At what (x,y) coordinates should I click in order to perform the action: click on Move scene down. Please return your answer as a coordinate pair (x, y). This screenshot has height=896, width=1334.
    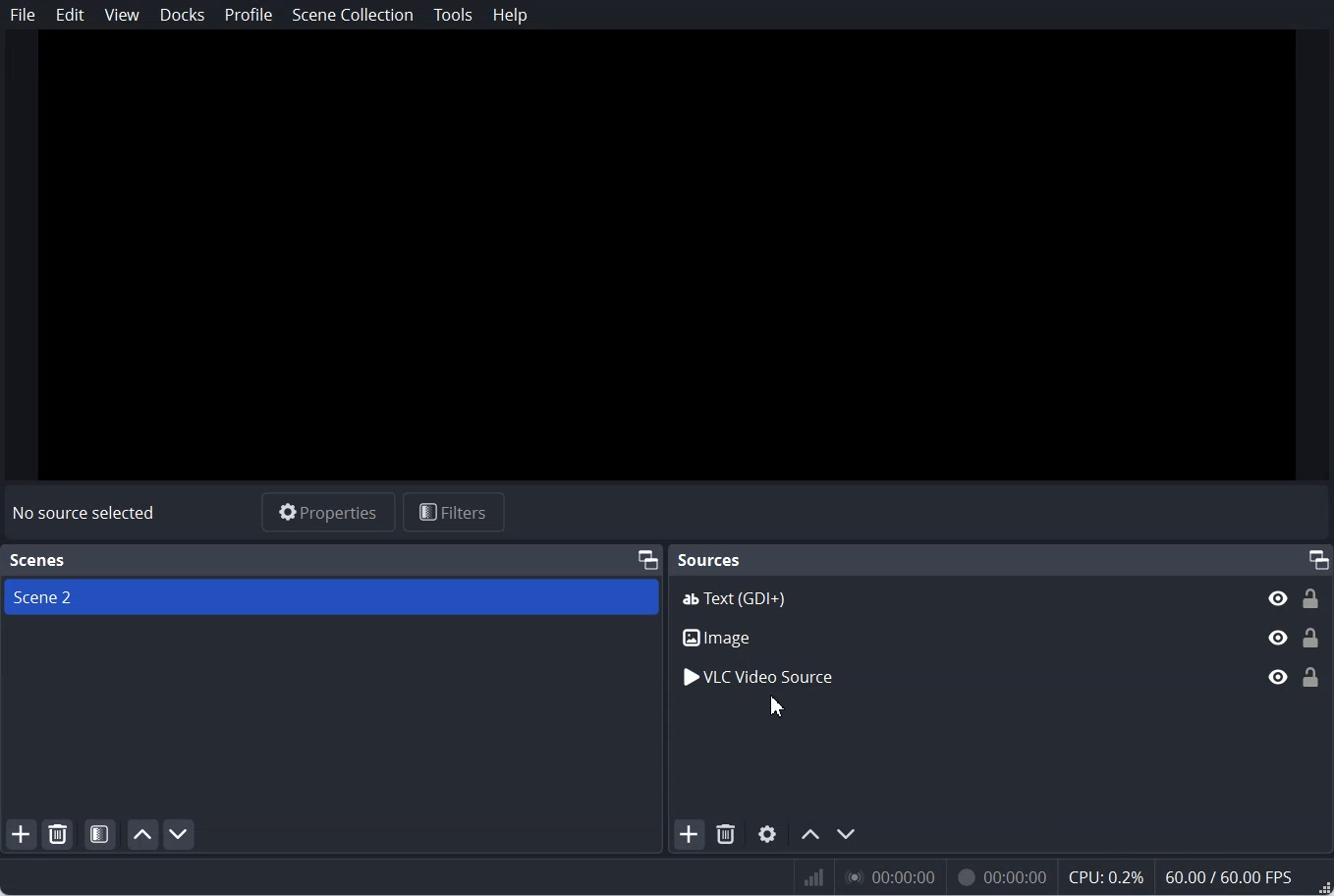
    Looking at the image, I should click on (180, 834).